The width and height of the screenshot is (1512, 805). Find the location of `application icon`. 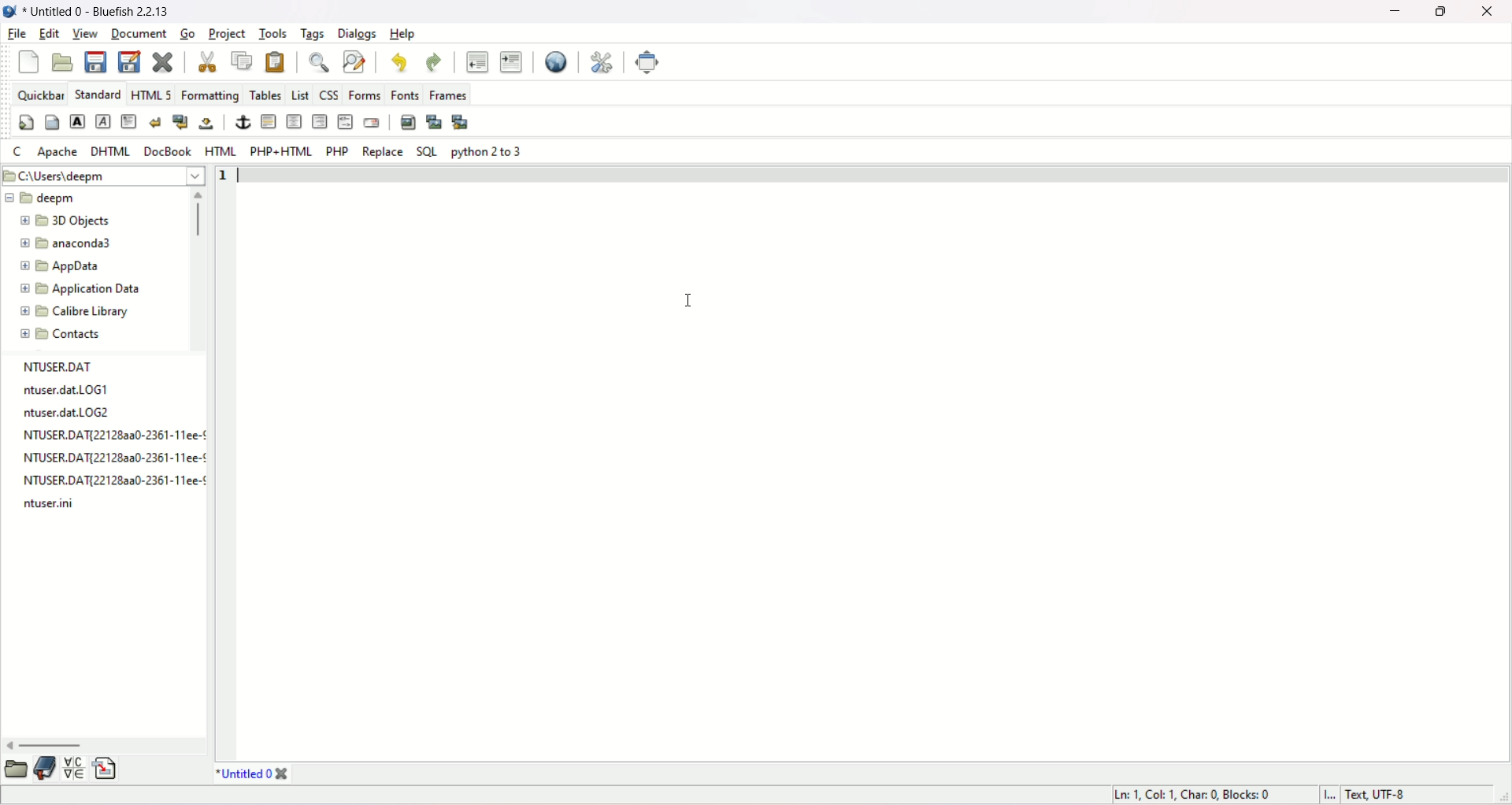

application icon is located at coordinates (10, 9).